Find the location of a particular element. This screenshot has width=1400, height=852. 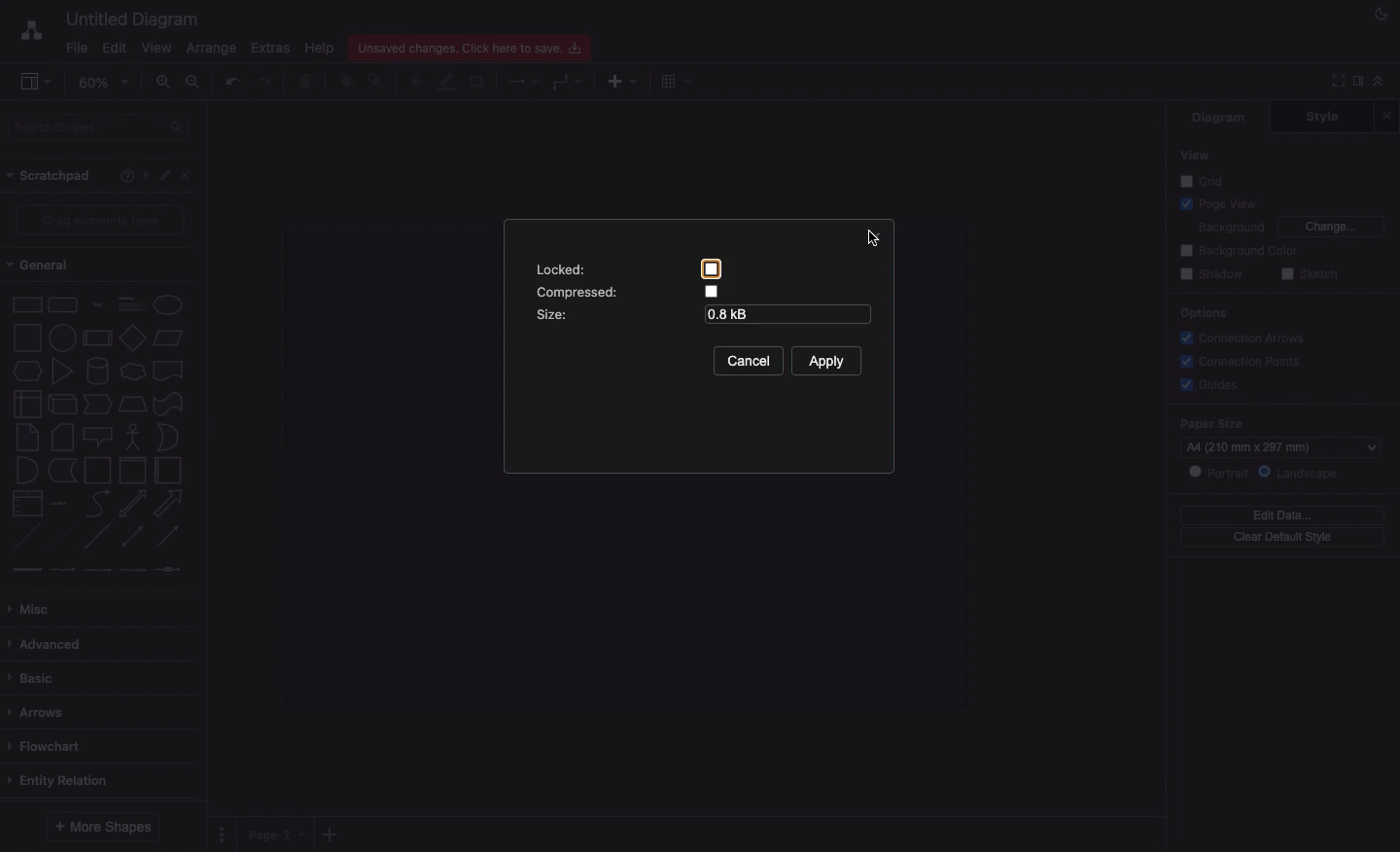

Close is located at coordinates (186, 175).